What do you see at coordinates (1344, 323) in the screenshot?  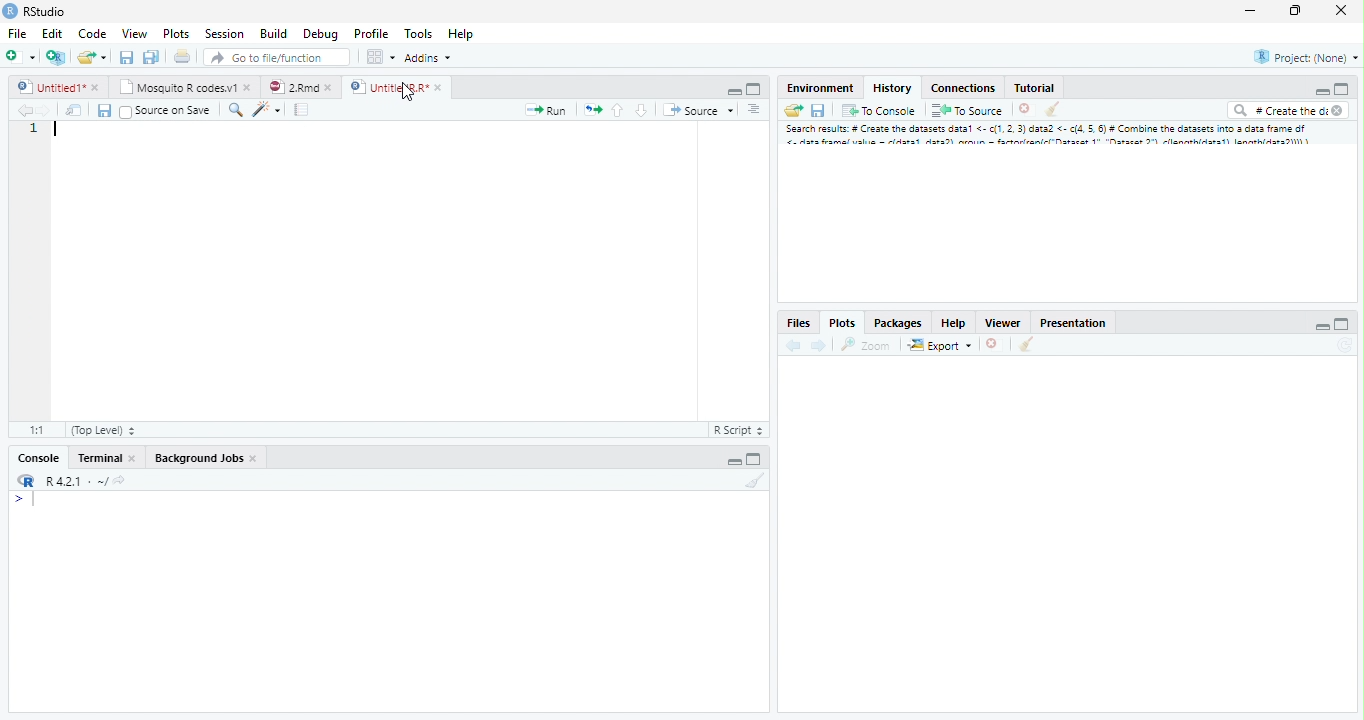 I see `Maximize` at bounding box center [1344, 323].